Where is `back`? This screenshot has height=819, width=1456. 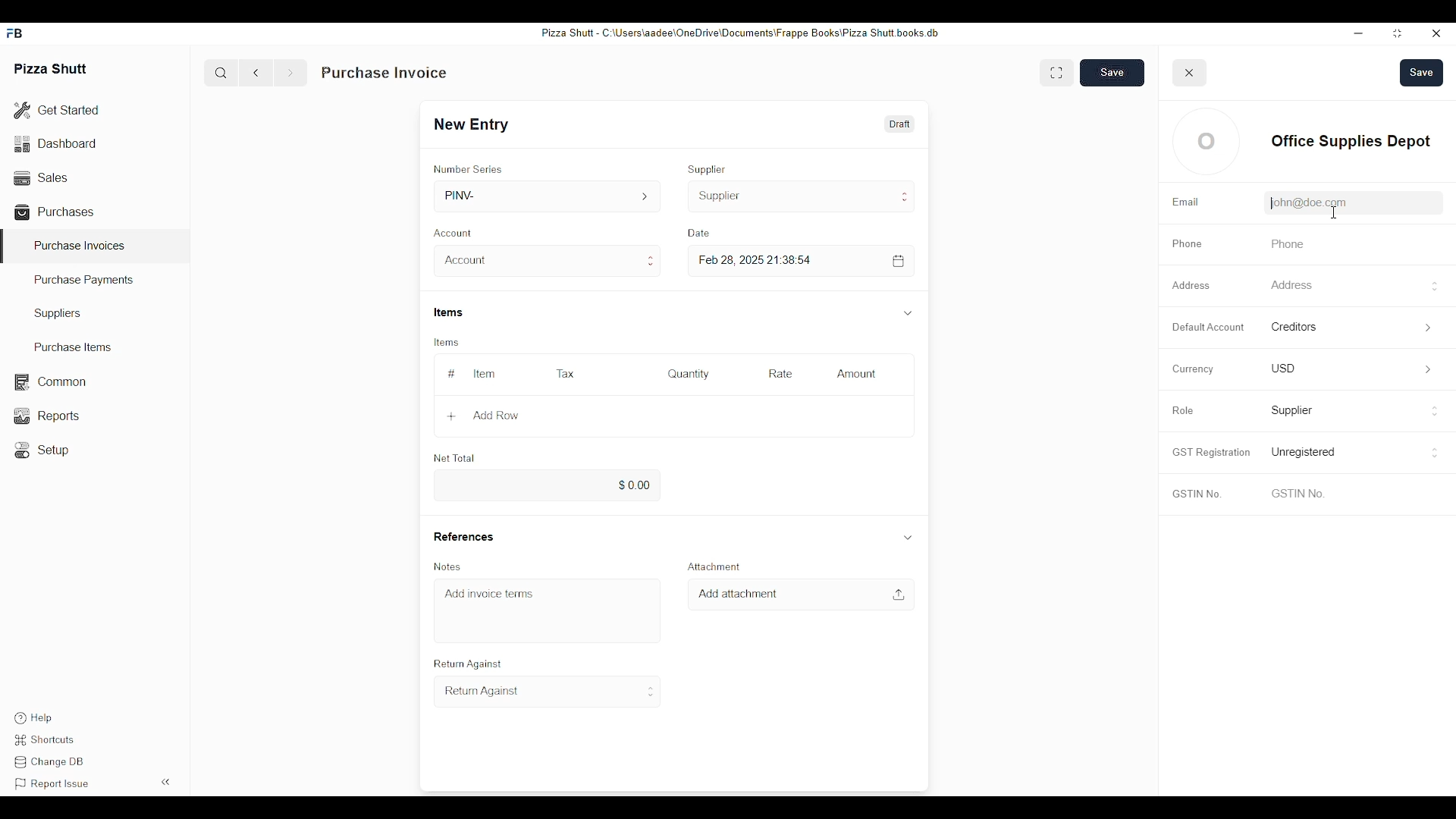
back is located at coordinates (259, 73).